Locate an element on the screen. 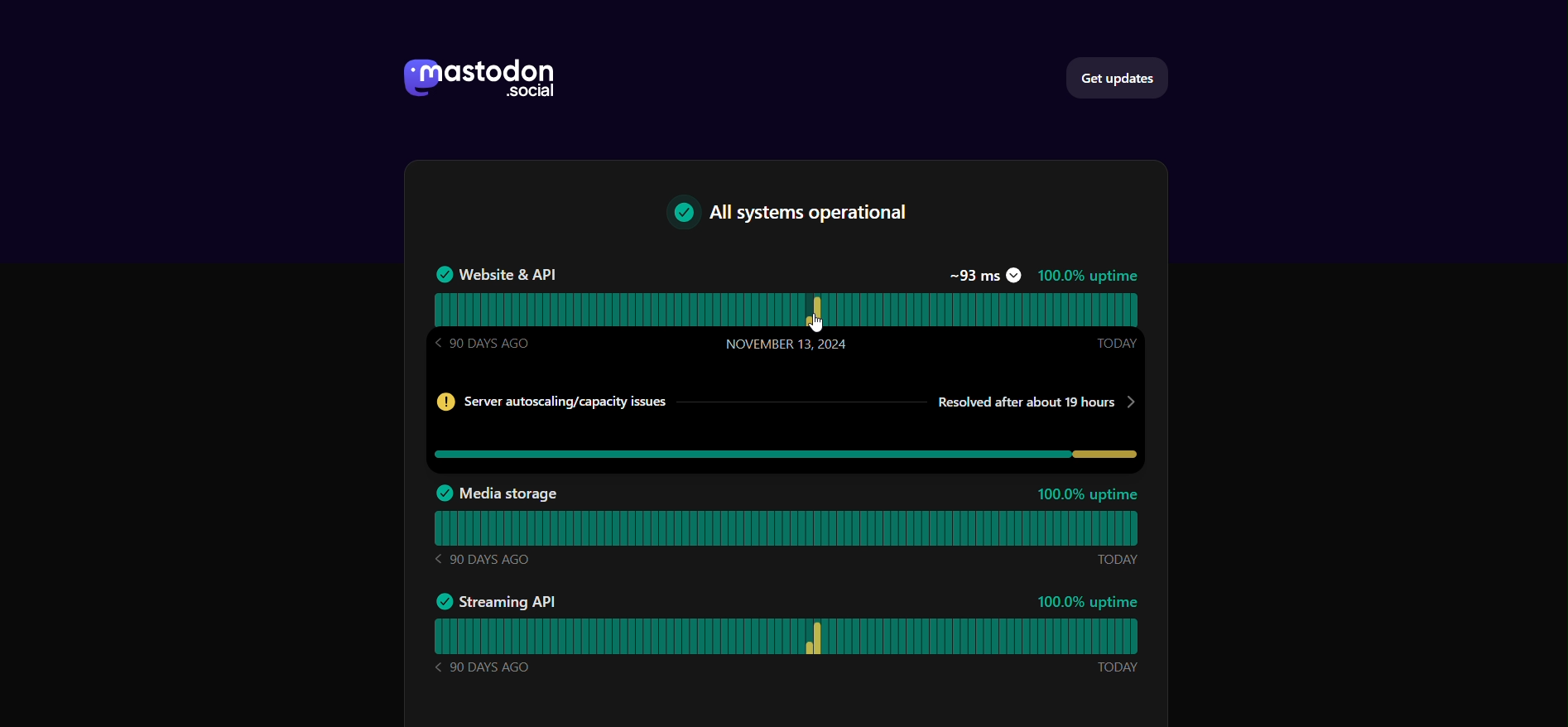 The image size is (1568, 727). mastodon social logo is located at coordinates (475, 79).